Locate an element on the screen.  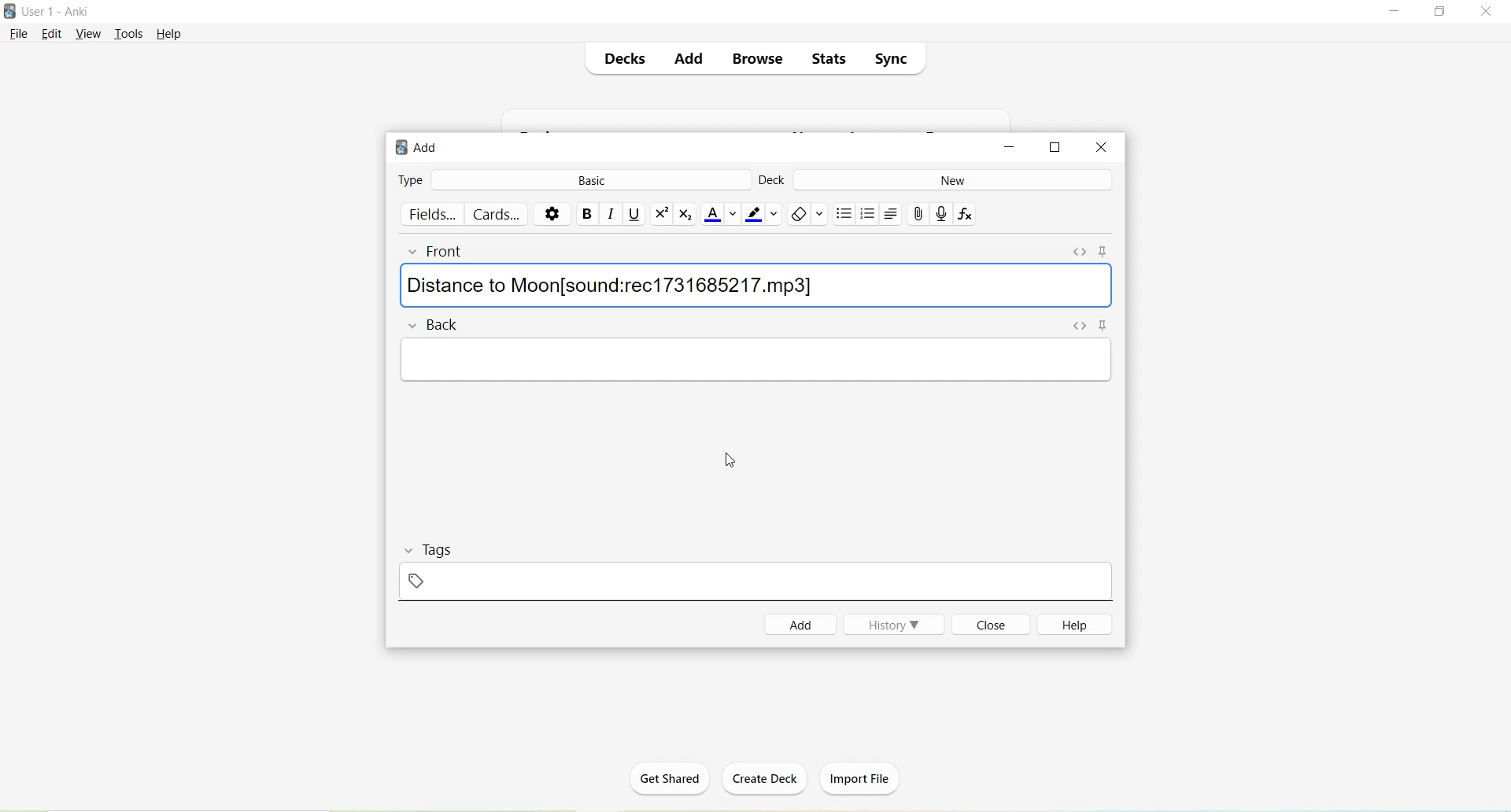
Deck is located at coordinates (773, 183).